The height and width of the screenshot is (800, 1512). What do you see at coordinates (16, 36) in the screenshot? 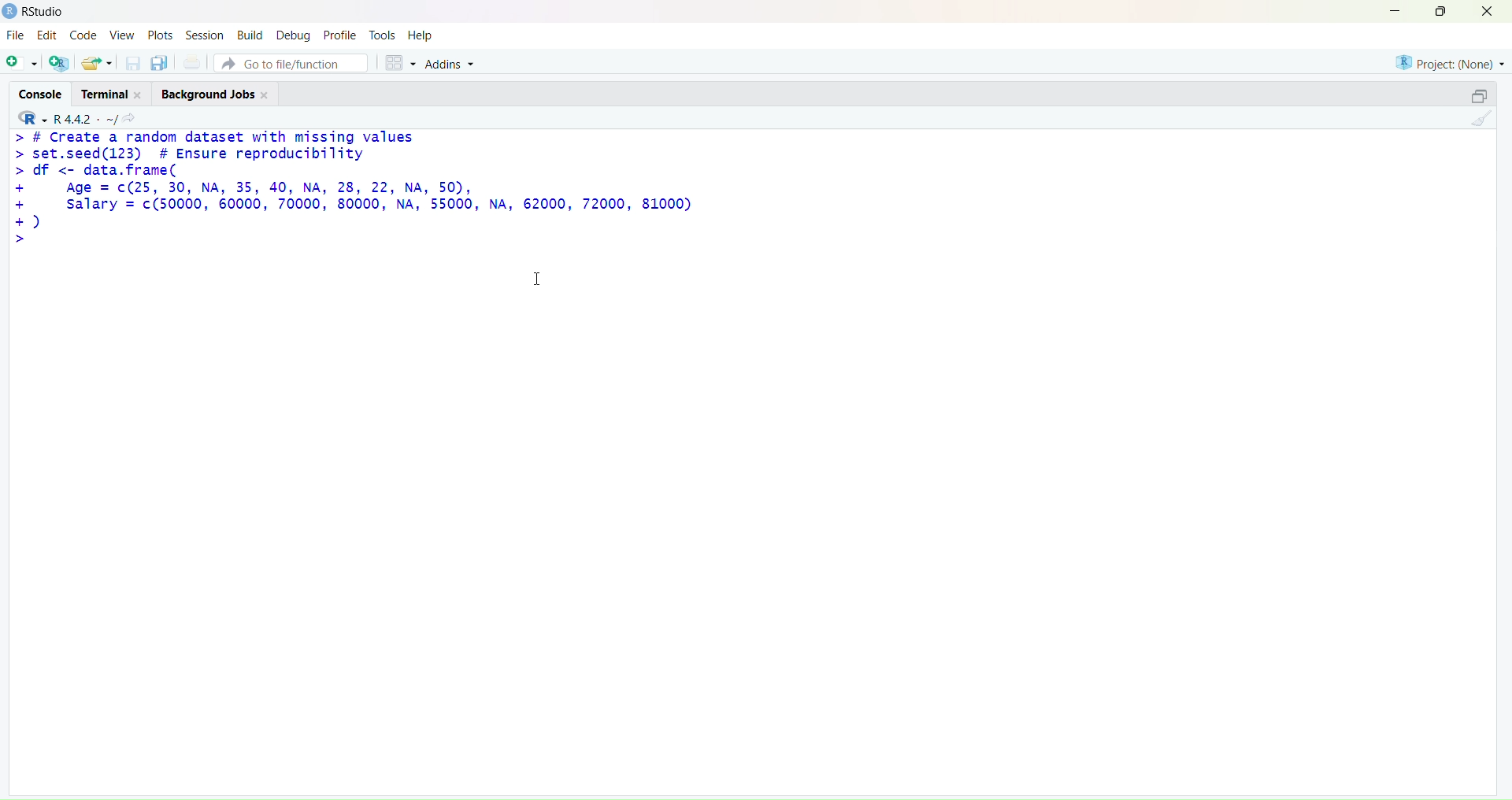
I see `file` at bounding box center [16, 36].